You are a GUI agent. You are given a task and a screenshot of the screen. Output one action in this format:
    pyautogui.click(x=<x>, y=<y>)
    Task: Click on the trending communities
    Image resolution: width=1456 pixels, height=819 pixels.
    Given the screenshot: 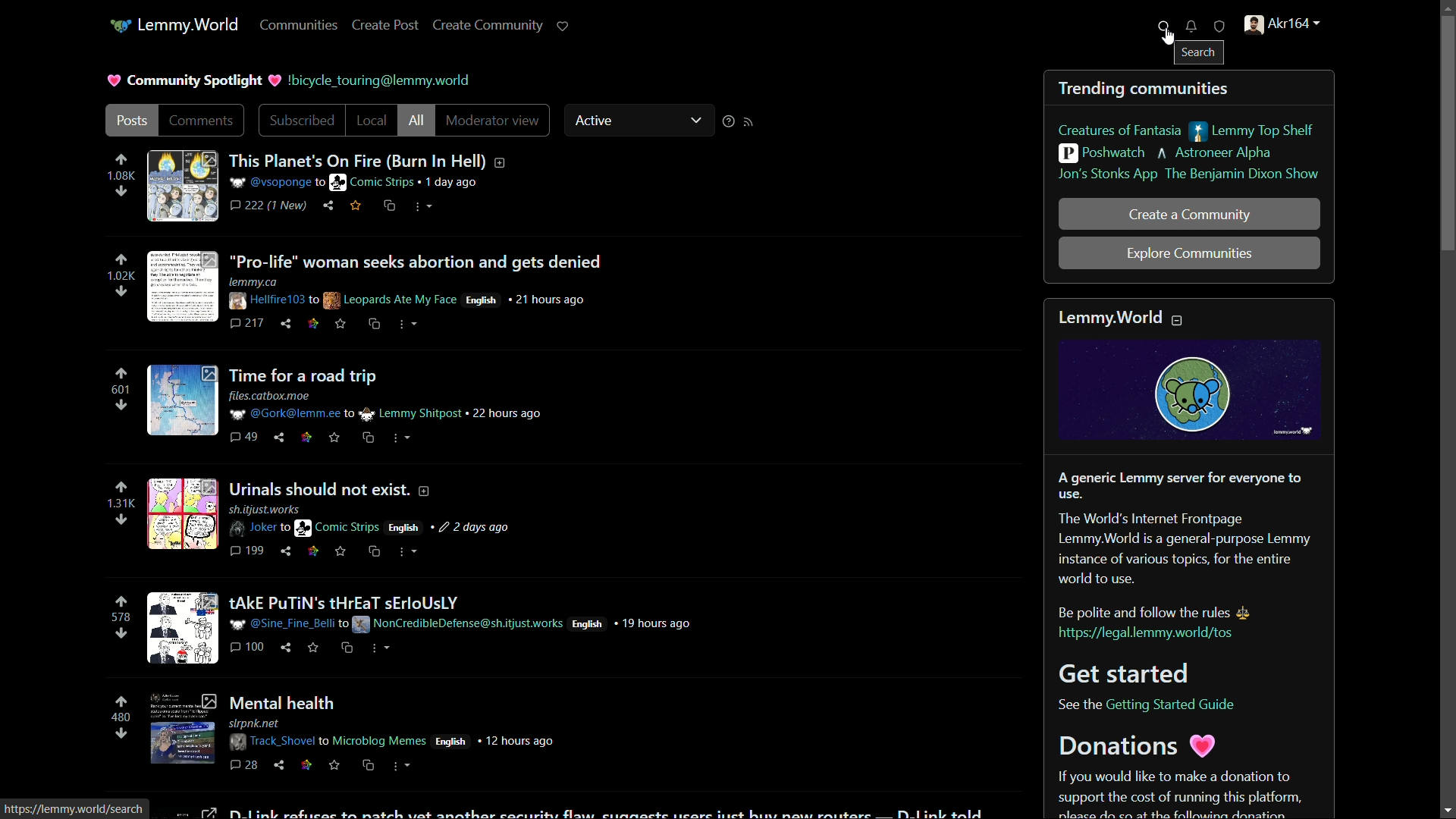 What is the action you would take?
    pyautogui.click(x=1146, y=89)
    